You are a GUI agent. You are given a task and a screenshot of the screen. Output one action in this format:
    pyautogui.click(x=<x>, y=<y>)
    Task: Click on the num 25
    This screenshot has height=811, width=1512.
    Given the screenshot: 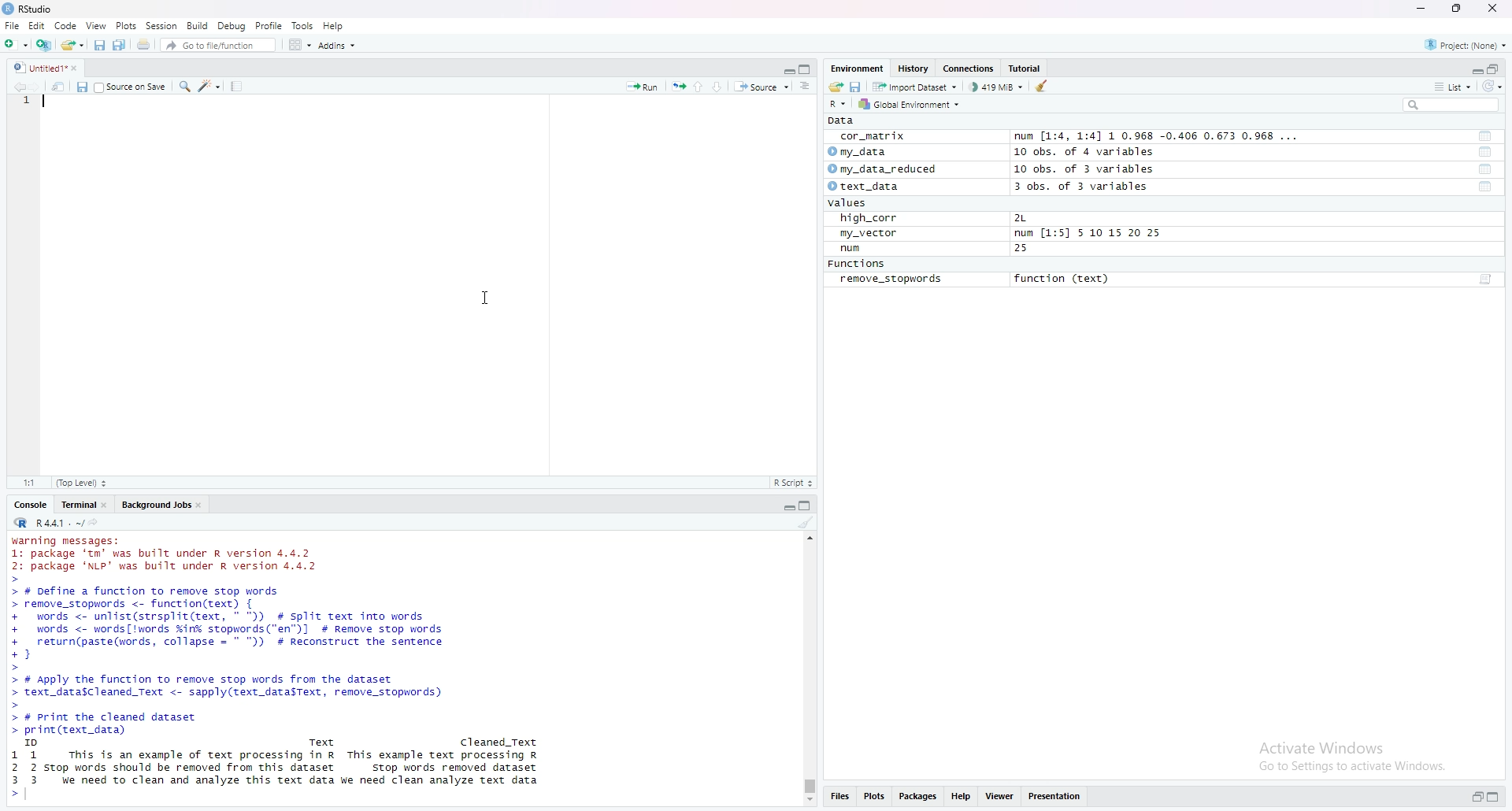 What is the action you would take?
    pyautogui.click(x=935, y=249)
    